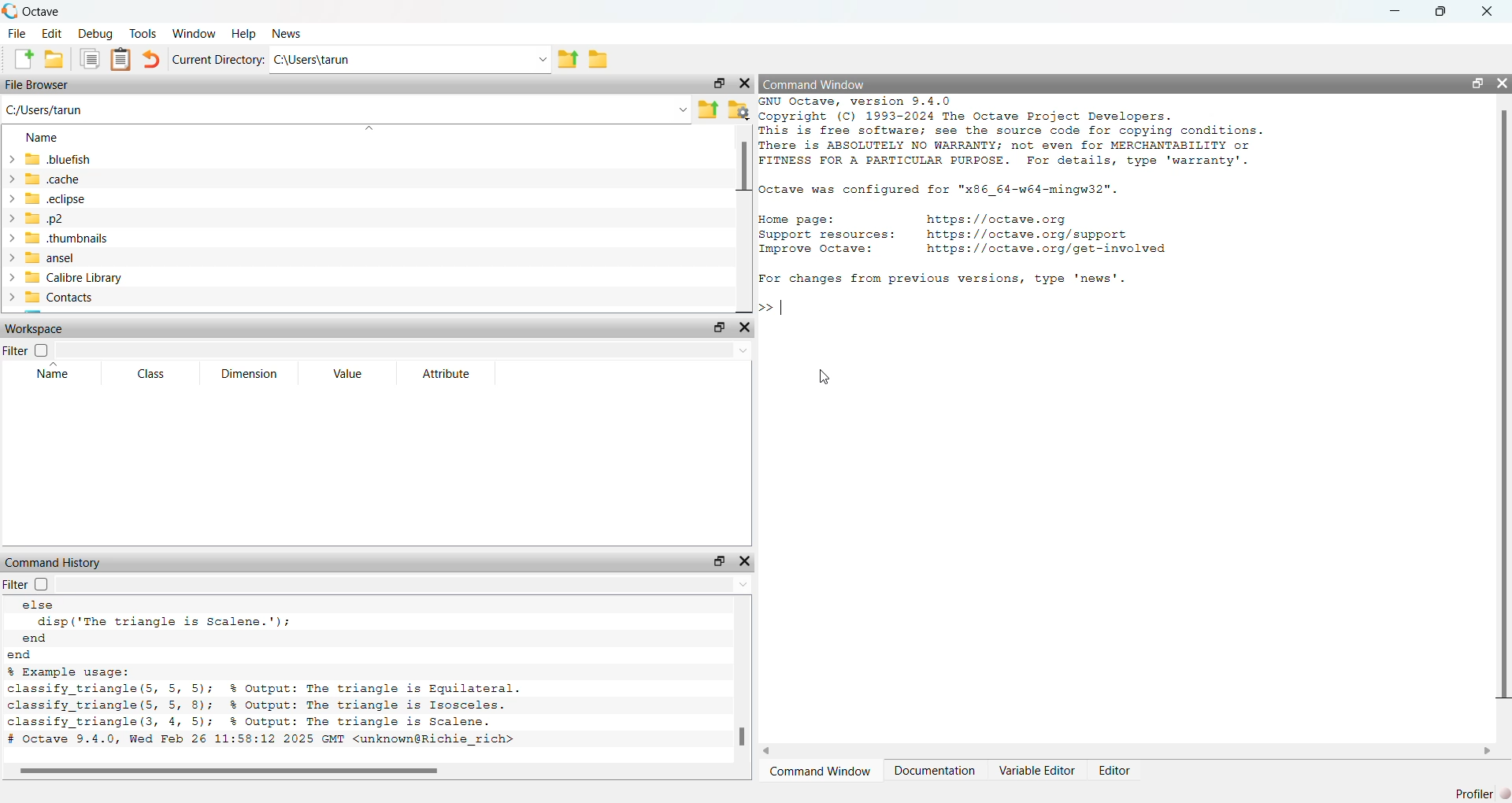 Image resolution: width=1512 pixels, height=803 pixels. Describe the element at coordinates (762, 308) in the screenshot. I see `prompt cursor` at that location.